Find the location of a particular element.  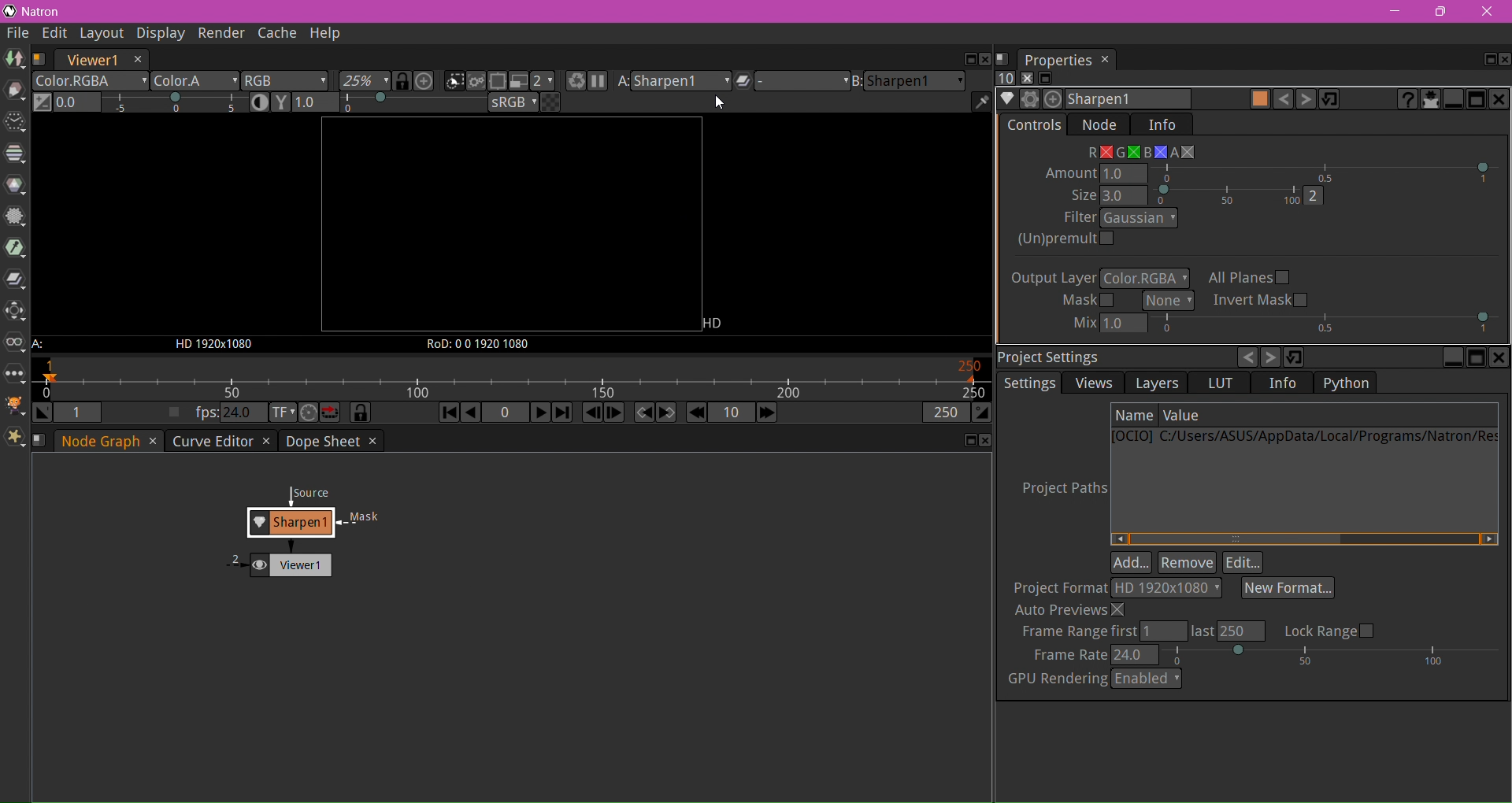

The playback frame is located at coordinates (513, 381).